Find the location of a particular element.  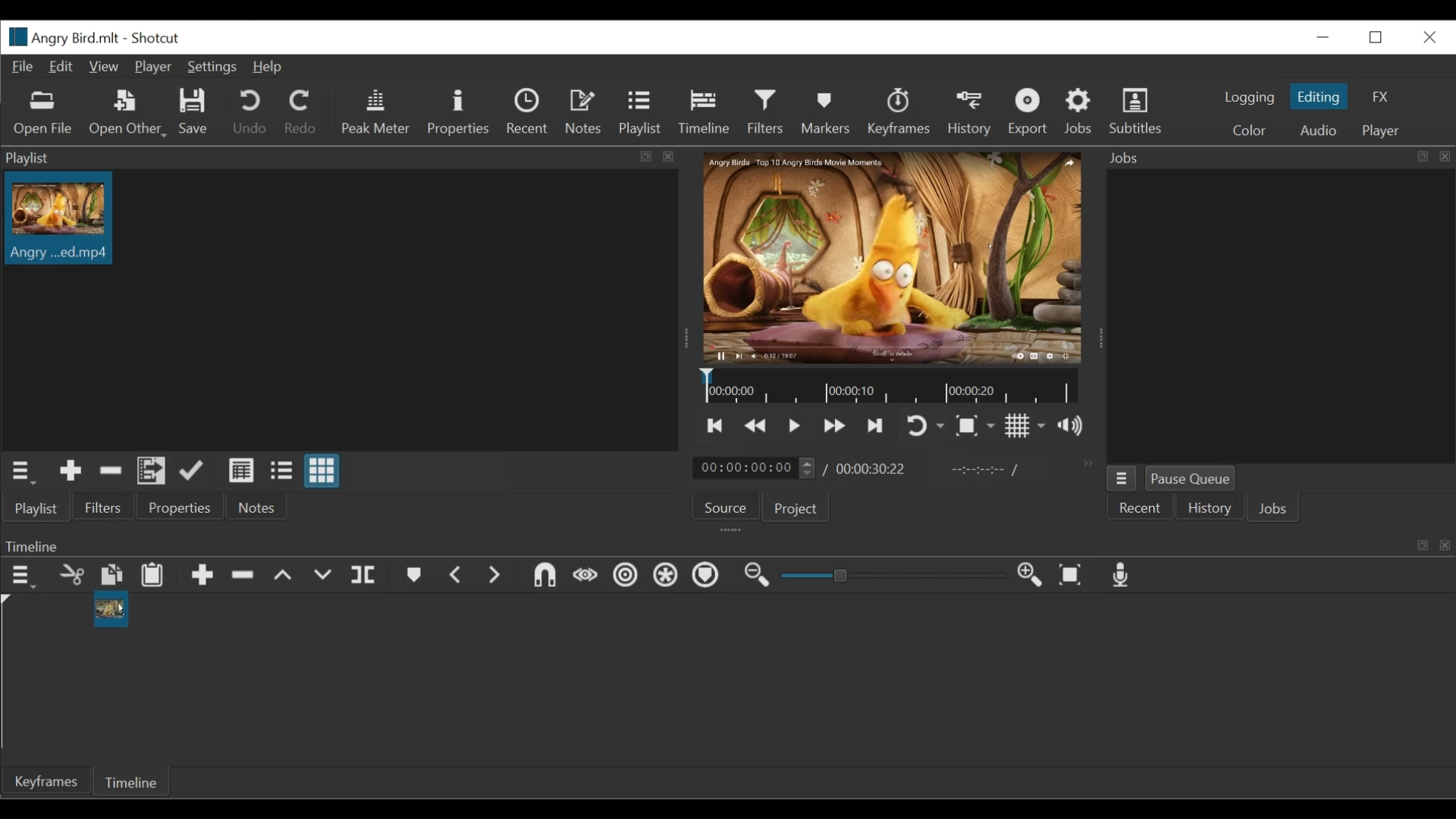

Timeline menu is located at coordinates (21, 577).